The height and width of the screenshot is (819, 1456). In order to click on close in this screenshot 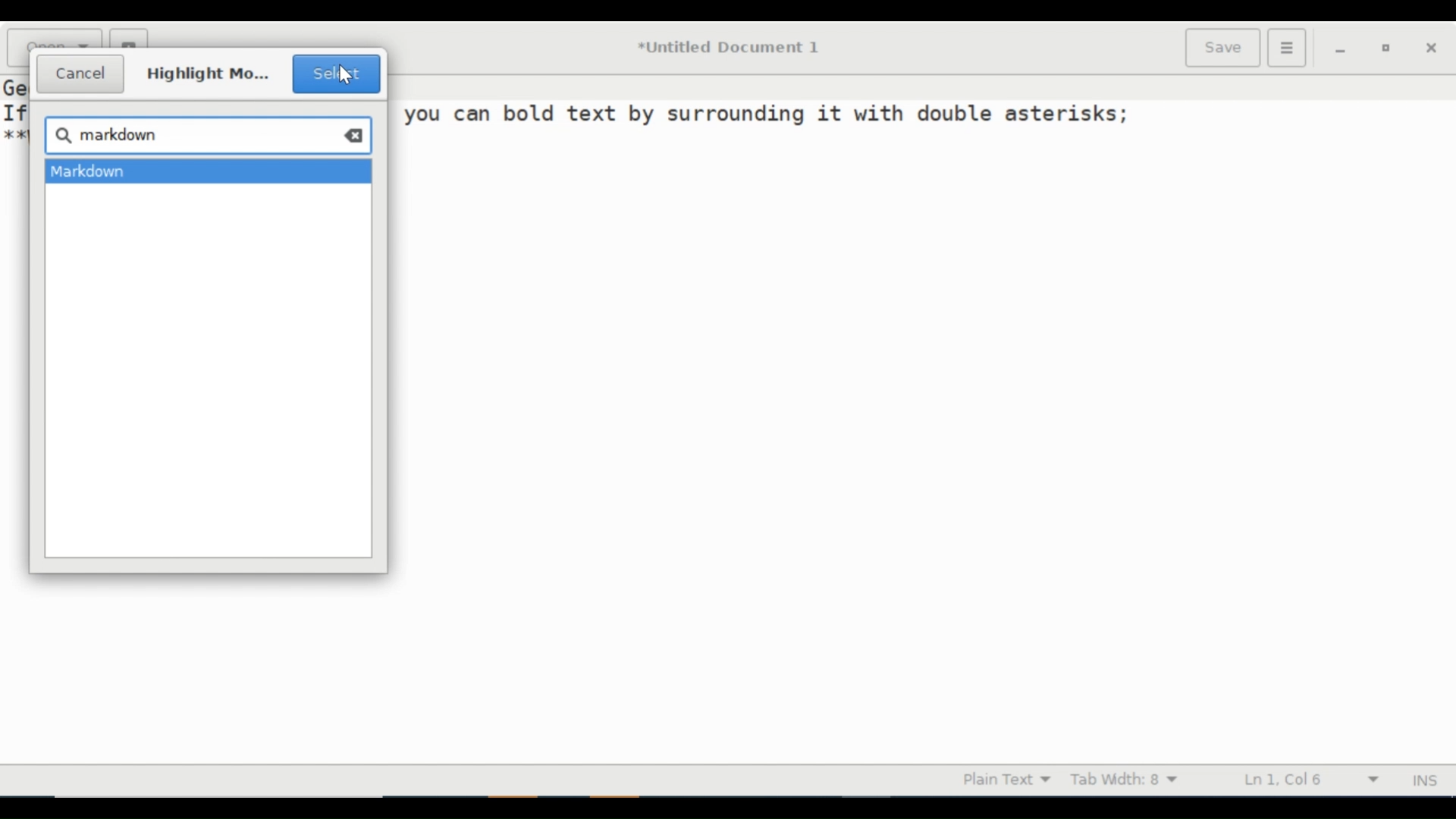, I will do `click(1431, 47)`.